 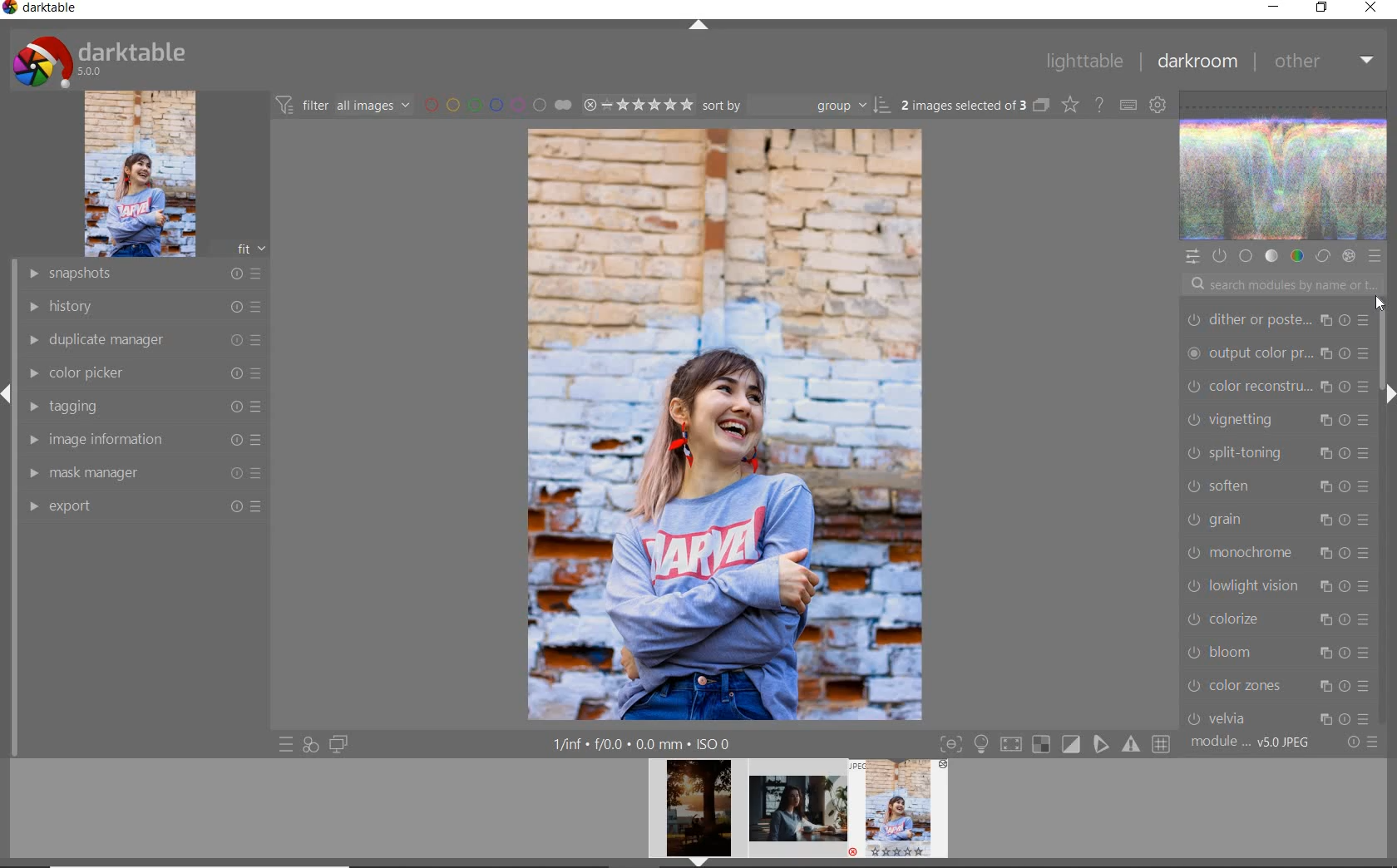 I want to click on quick access panel, so click(x=1192, y=257).